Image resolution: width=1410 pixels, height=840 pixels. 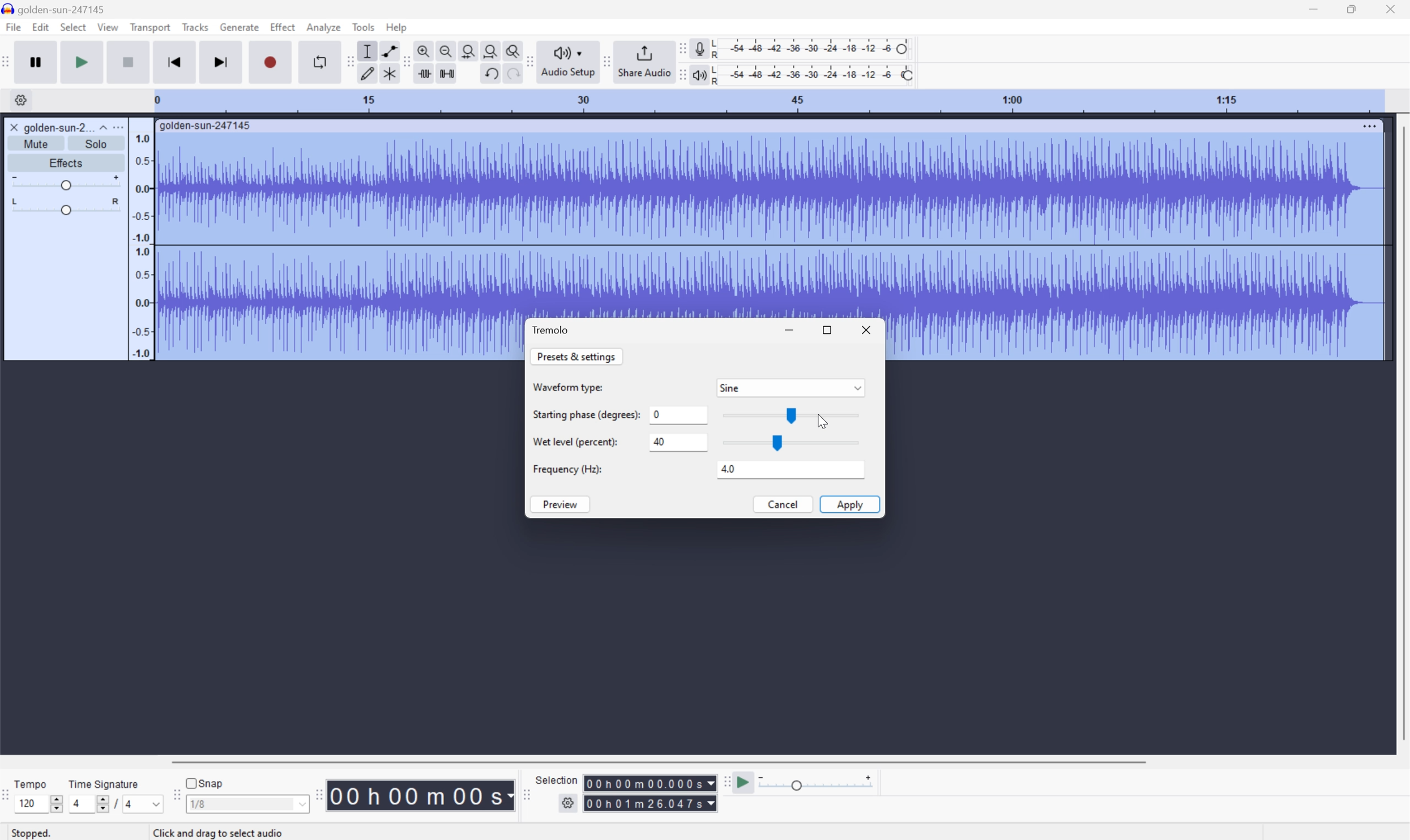 I want to click on Enable looping, so click(x=319, y=61).